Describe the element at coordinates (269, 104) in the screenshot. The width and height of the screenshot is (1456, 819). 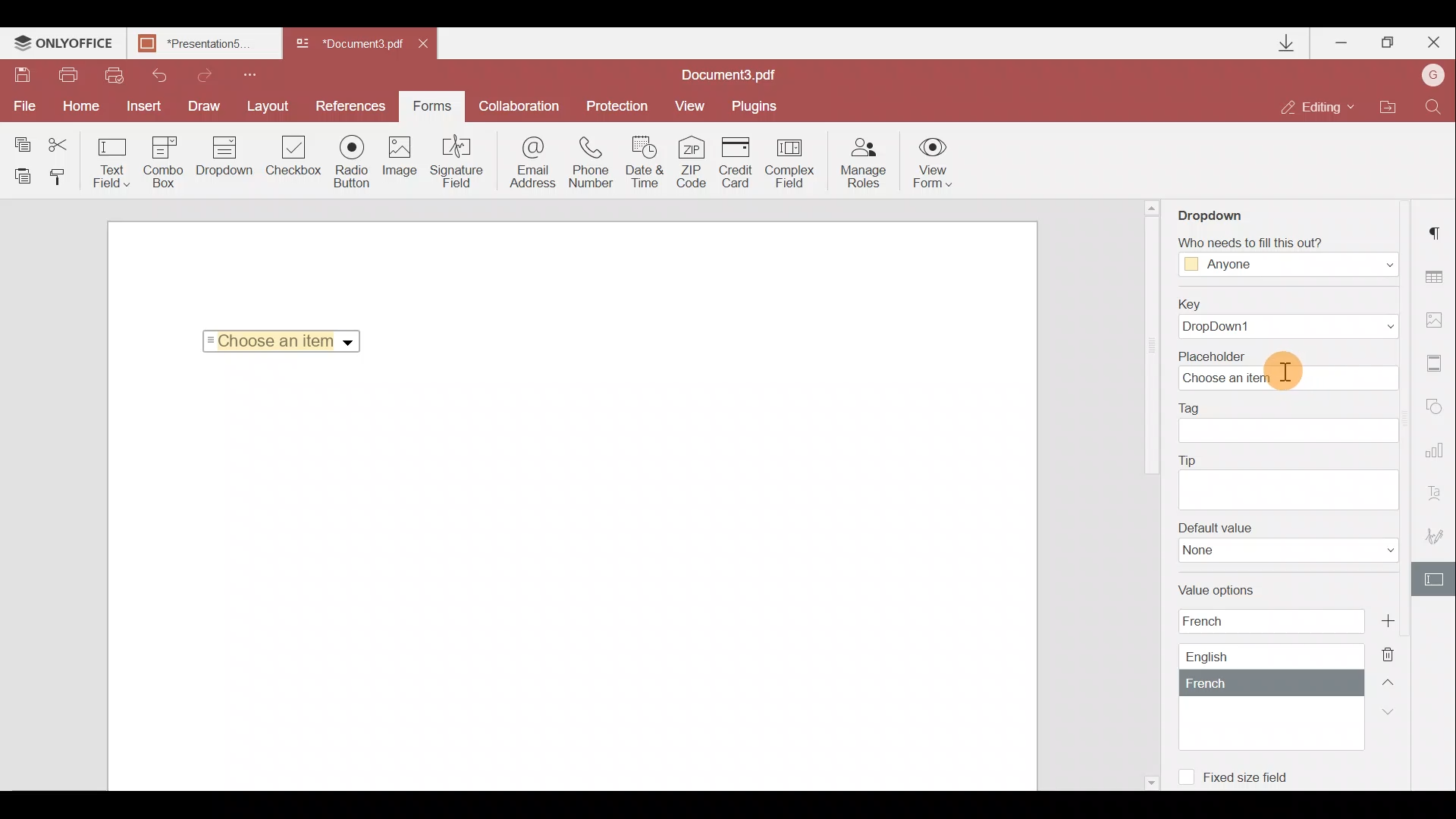
I see `Layout` at that location.